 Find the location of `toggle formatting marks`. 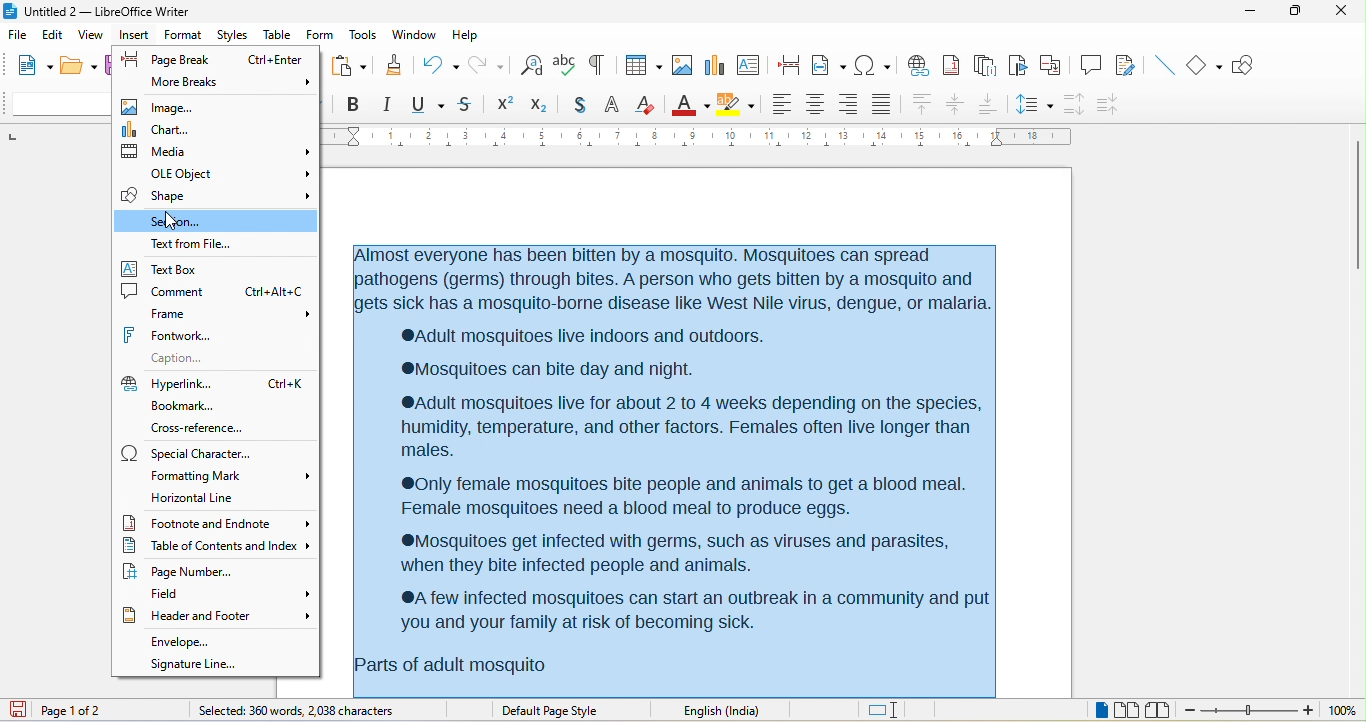

toggle formatting marks is located at coordinates (597, 63).